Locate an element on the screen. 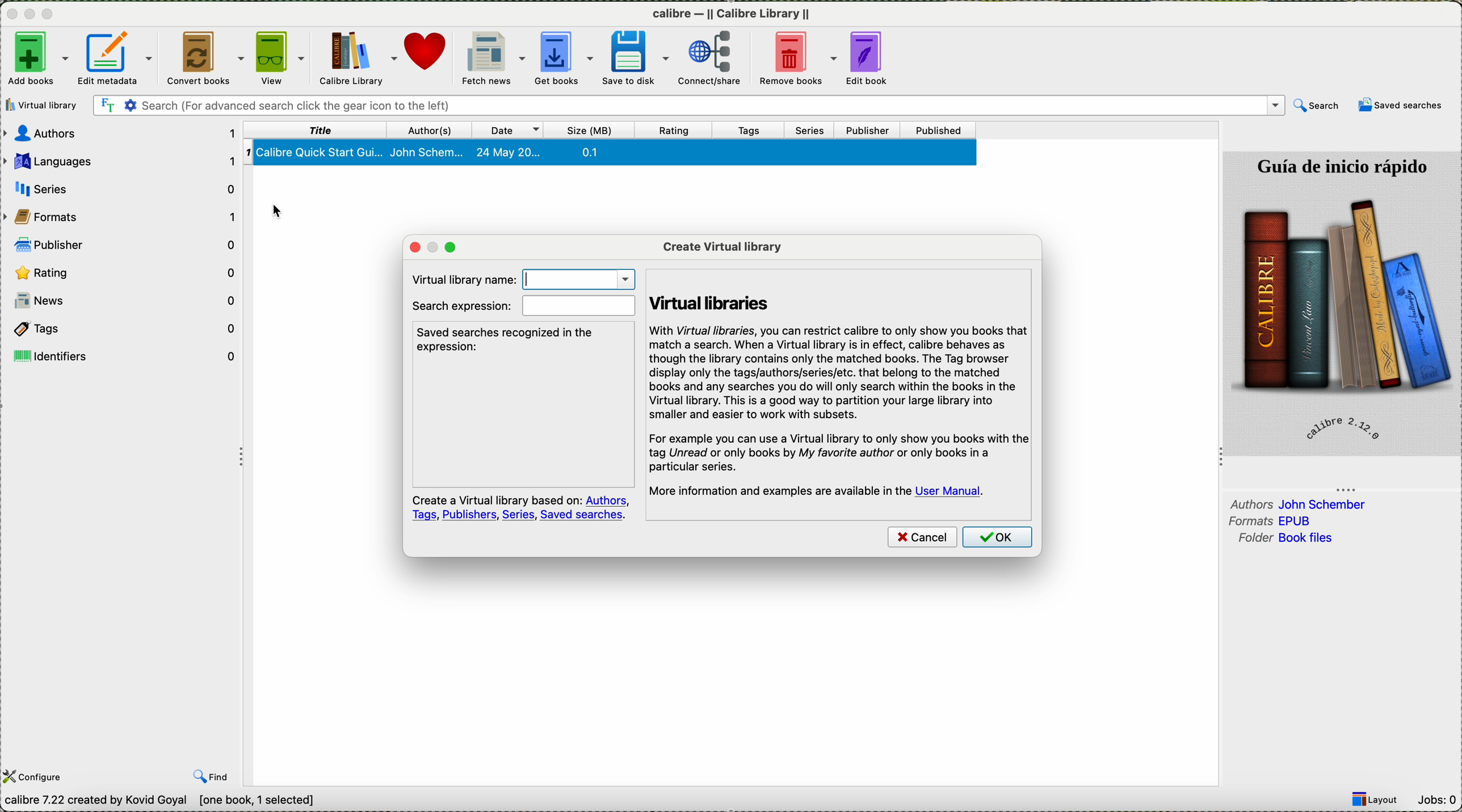  edit book is located at coordinates (872, 58).